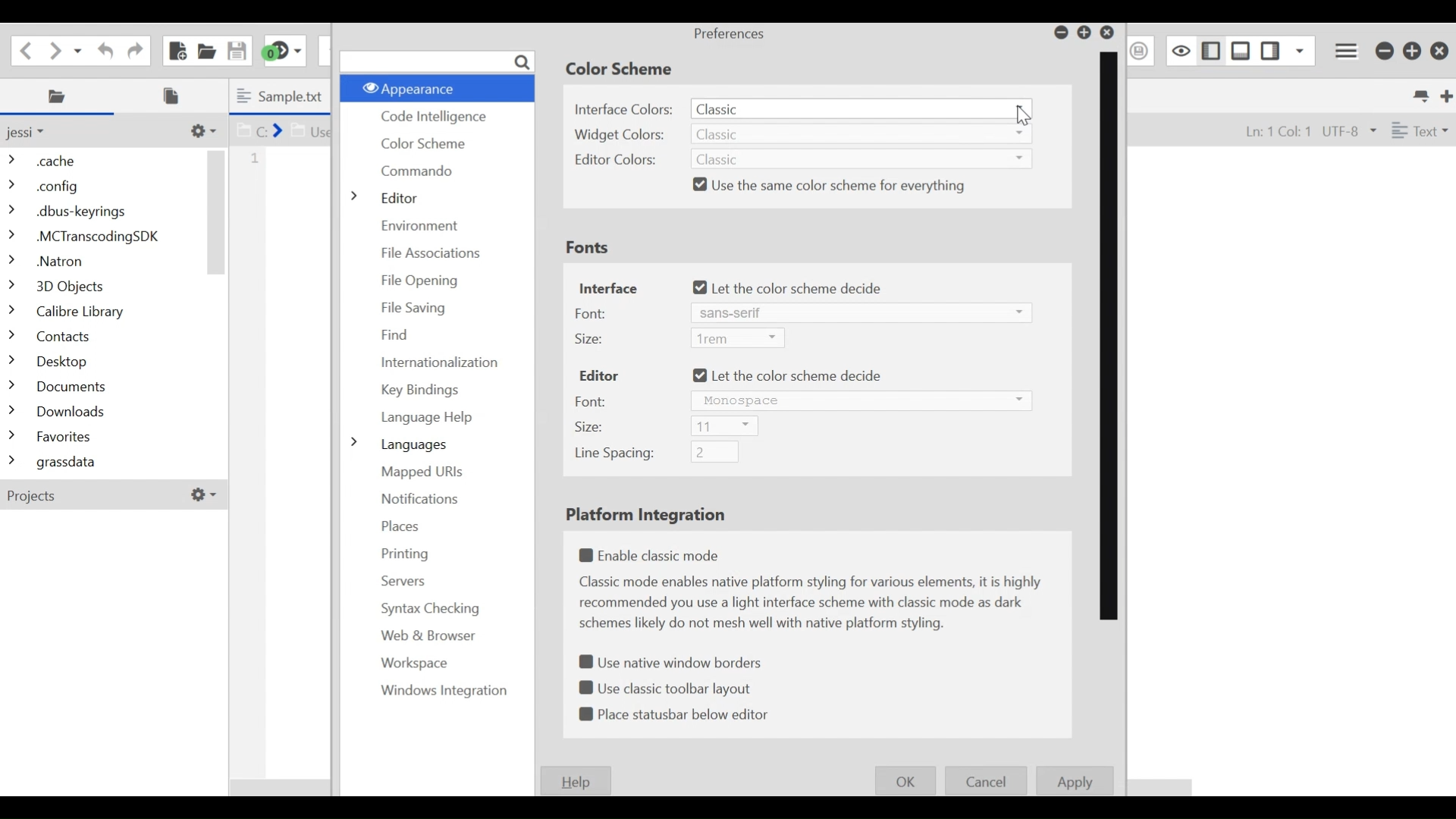 This screenshot has height=819, width=1456. Describe the element at coordinates (425, 143) in the screenshot. I see `Color Scheme` at that location.